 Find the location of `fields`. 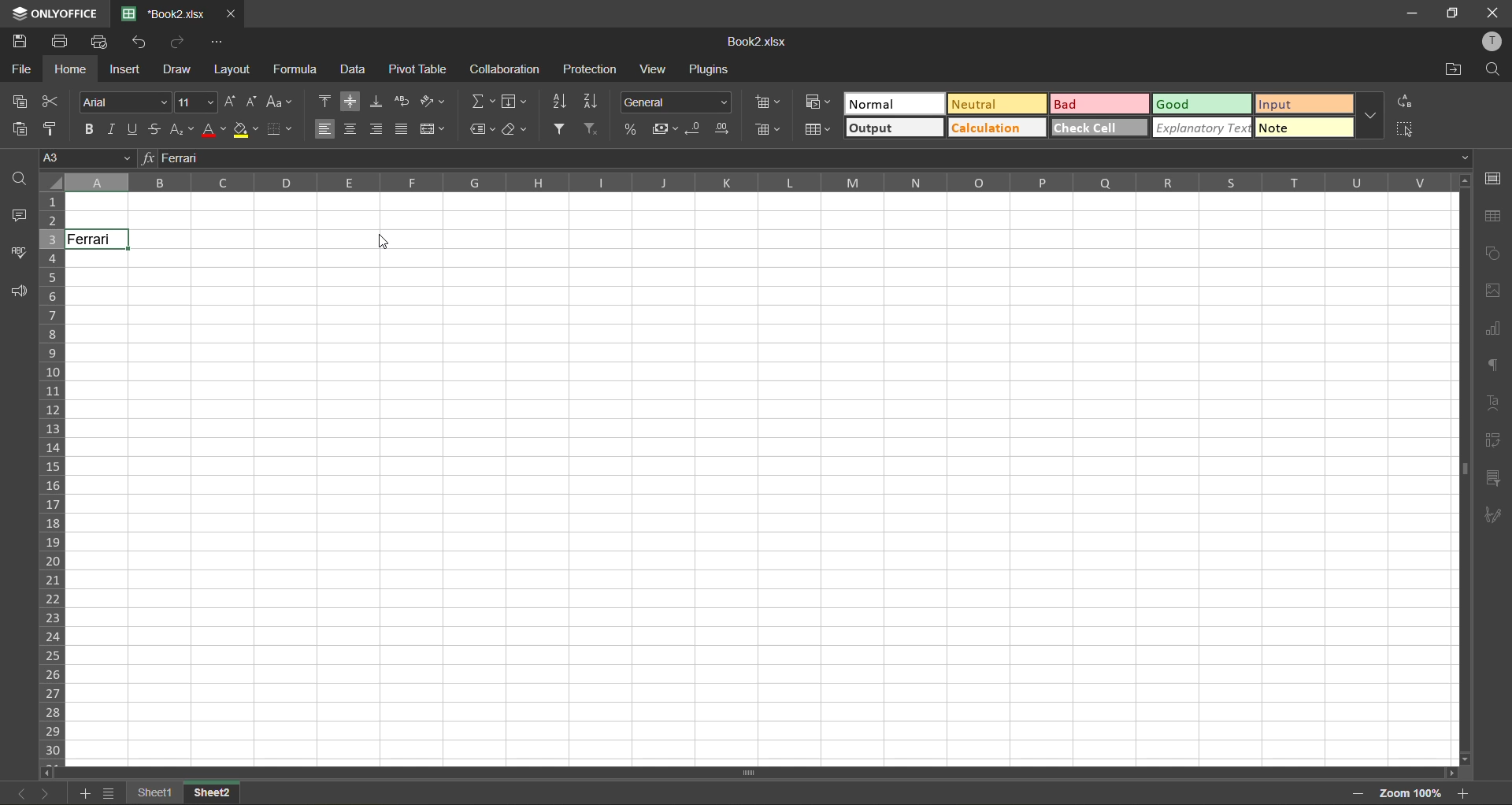

fields is located at coordinates (517, 101).